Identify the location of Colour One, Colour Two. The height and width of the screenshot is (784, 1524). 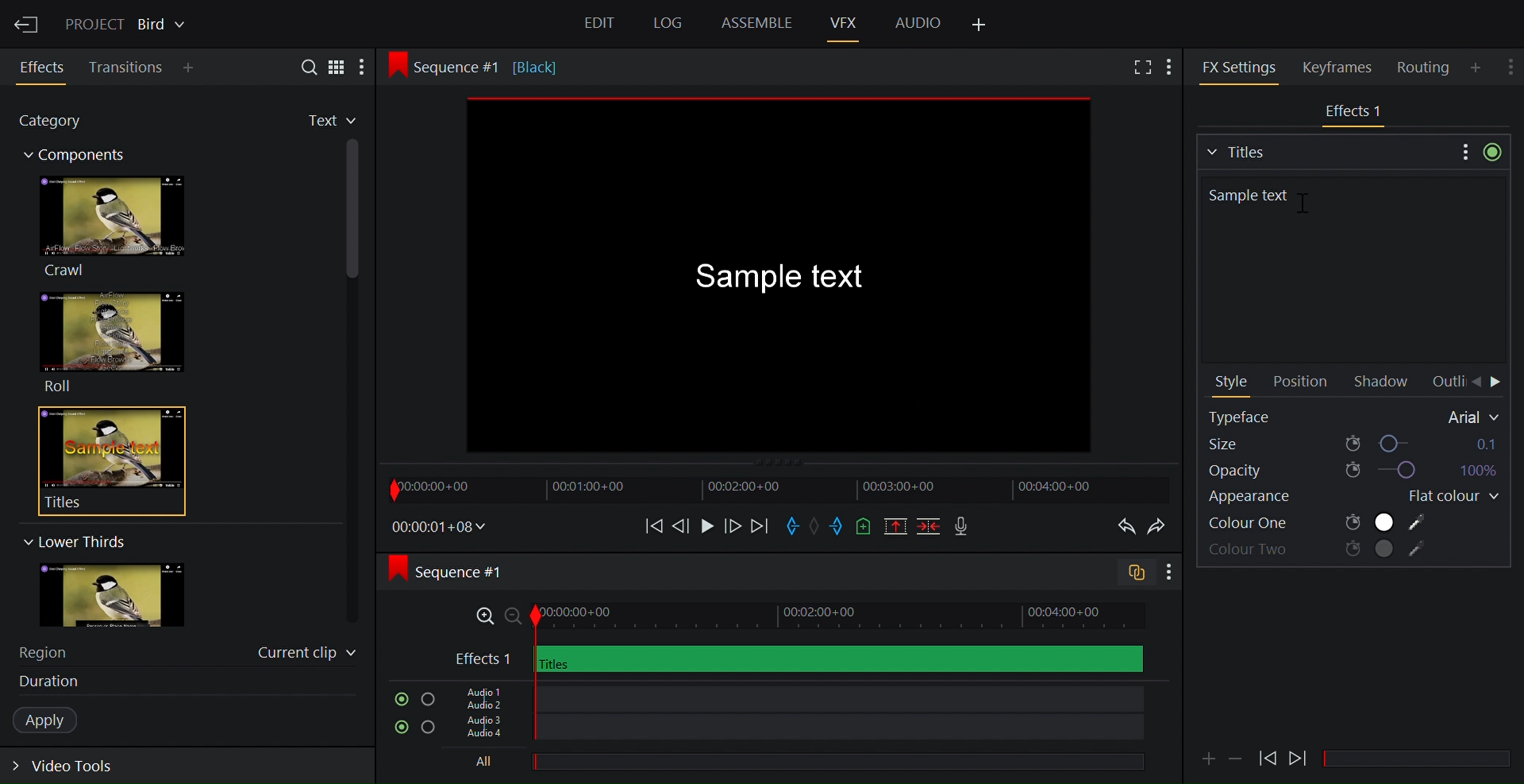
(1318, 523).